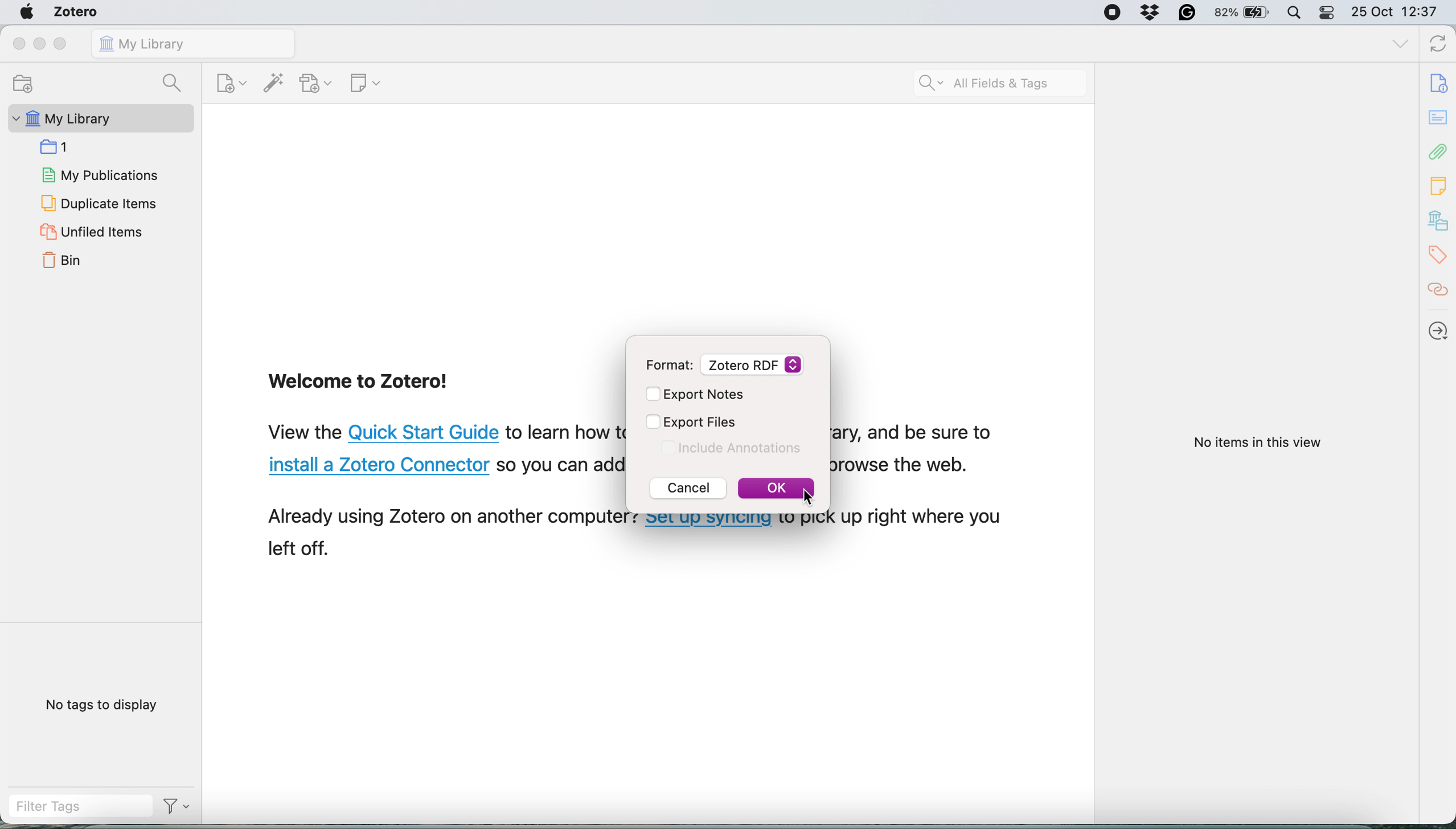 The height and width of the screenshot is (829, 1456). Describe the element at coordinates (367, 84) in the screenshot. I see `new note` at that location.